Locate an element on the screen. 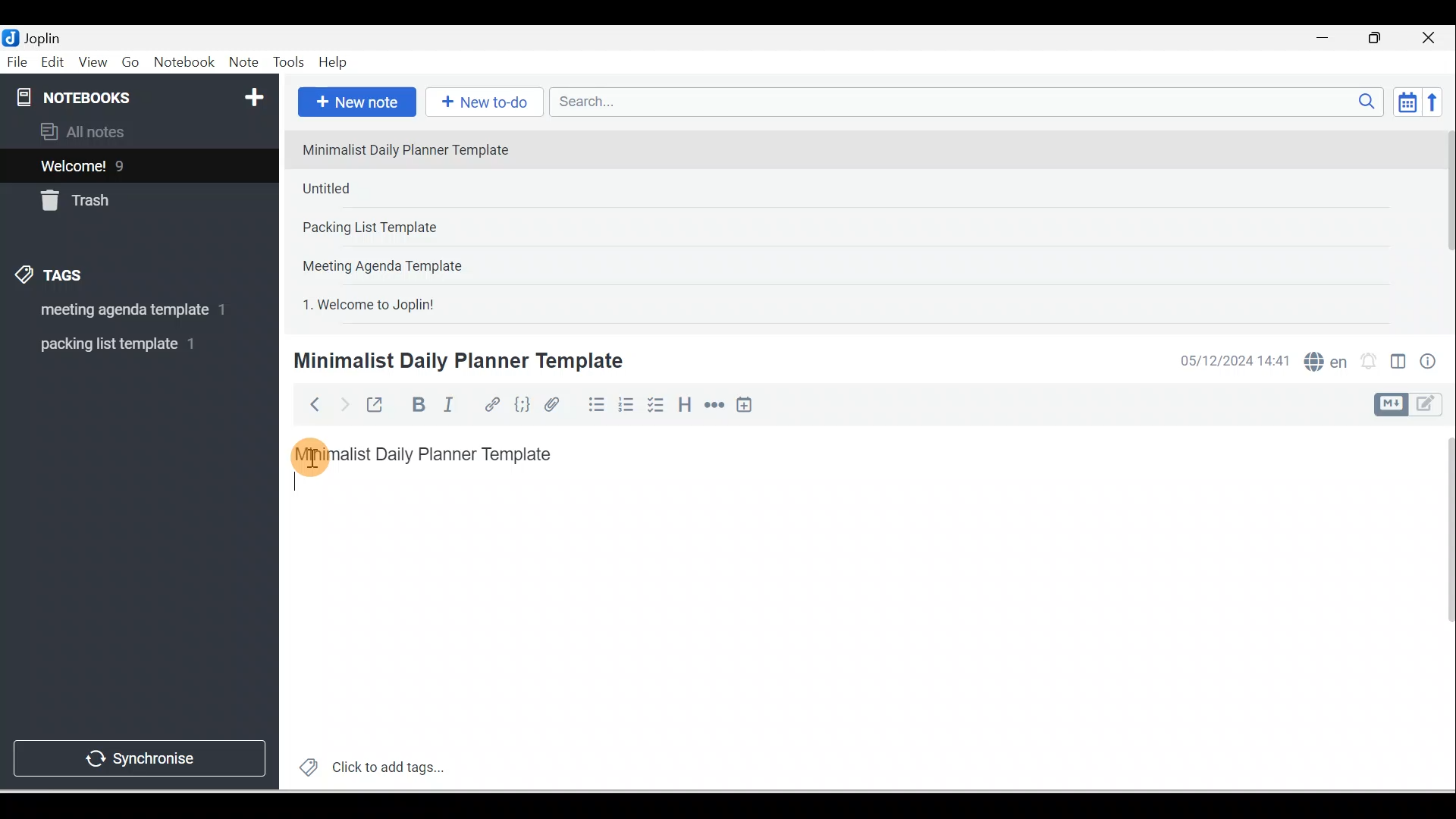 The height and width of the screenshot is (819, 1456). Tools is located at coordinates (288, 62).